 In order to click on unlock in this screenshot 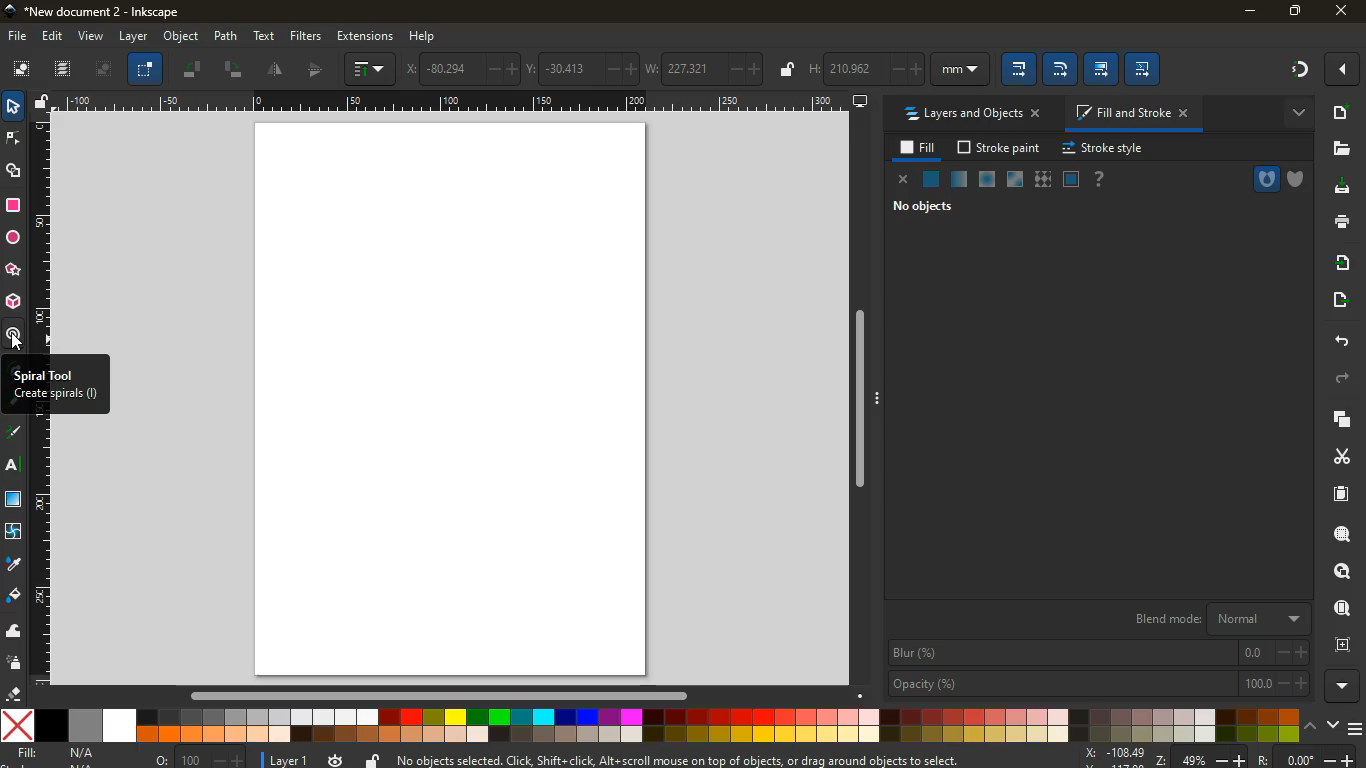, I will do `click(38, 104)`.